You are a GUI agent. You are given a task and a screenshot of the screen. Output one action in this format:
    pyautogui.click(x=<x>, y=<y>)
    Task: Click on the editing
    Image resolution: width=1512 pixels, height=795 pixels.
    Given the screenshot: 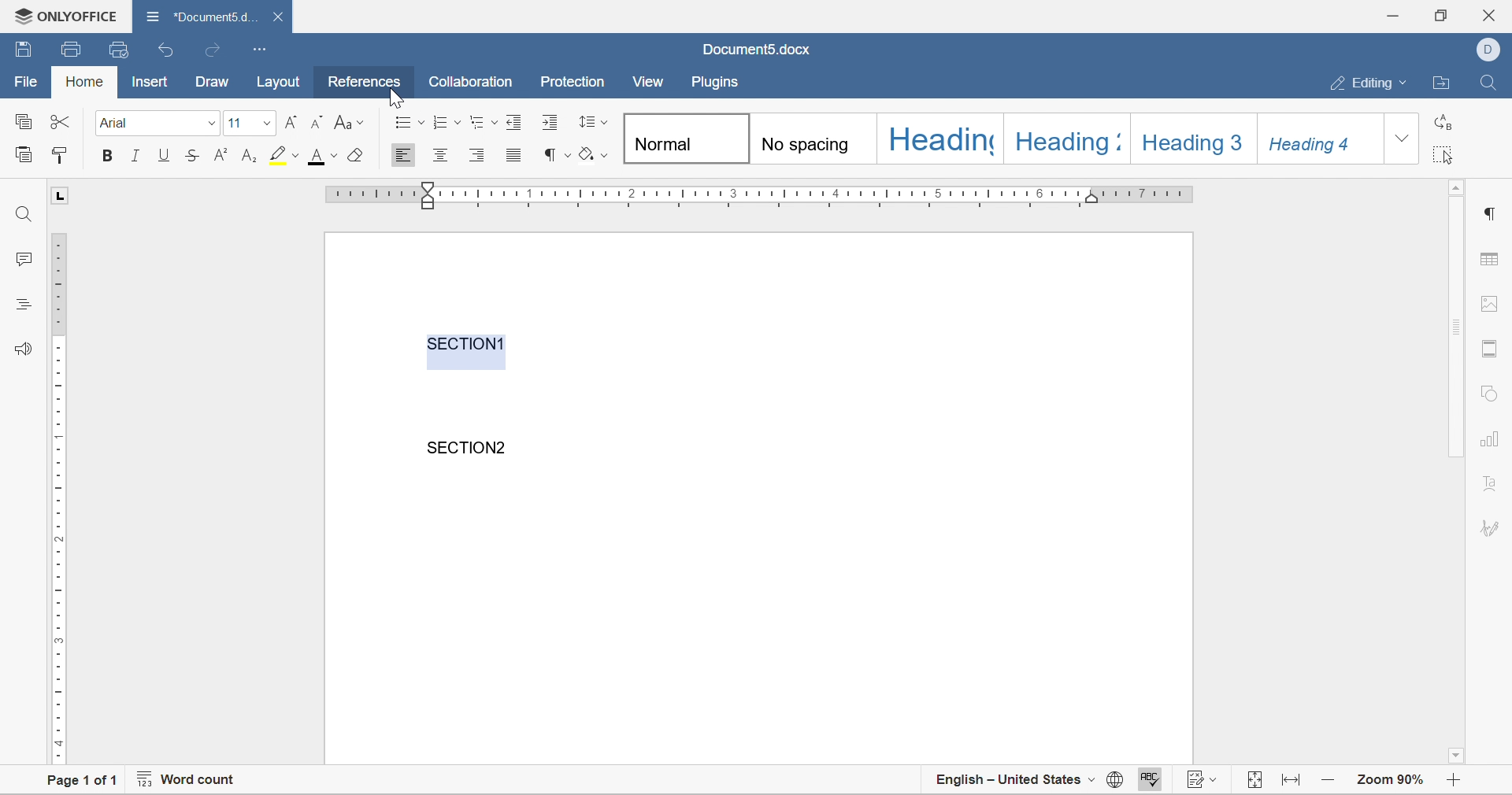 What is the action you would take?
    pyautogui.click(x=1373, y=83)
    